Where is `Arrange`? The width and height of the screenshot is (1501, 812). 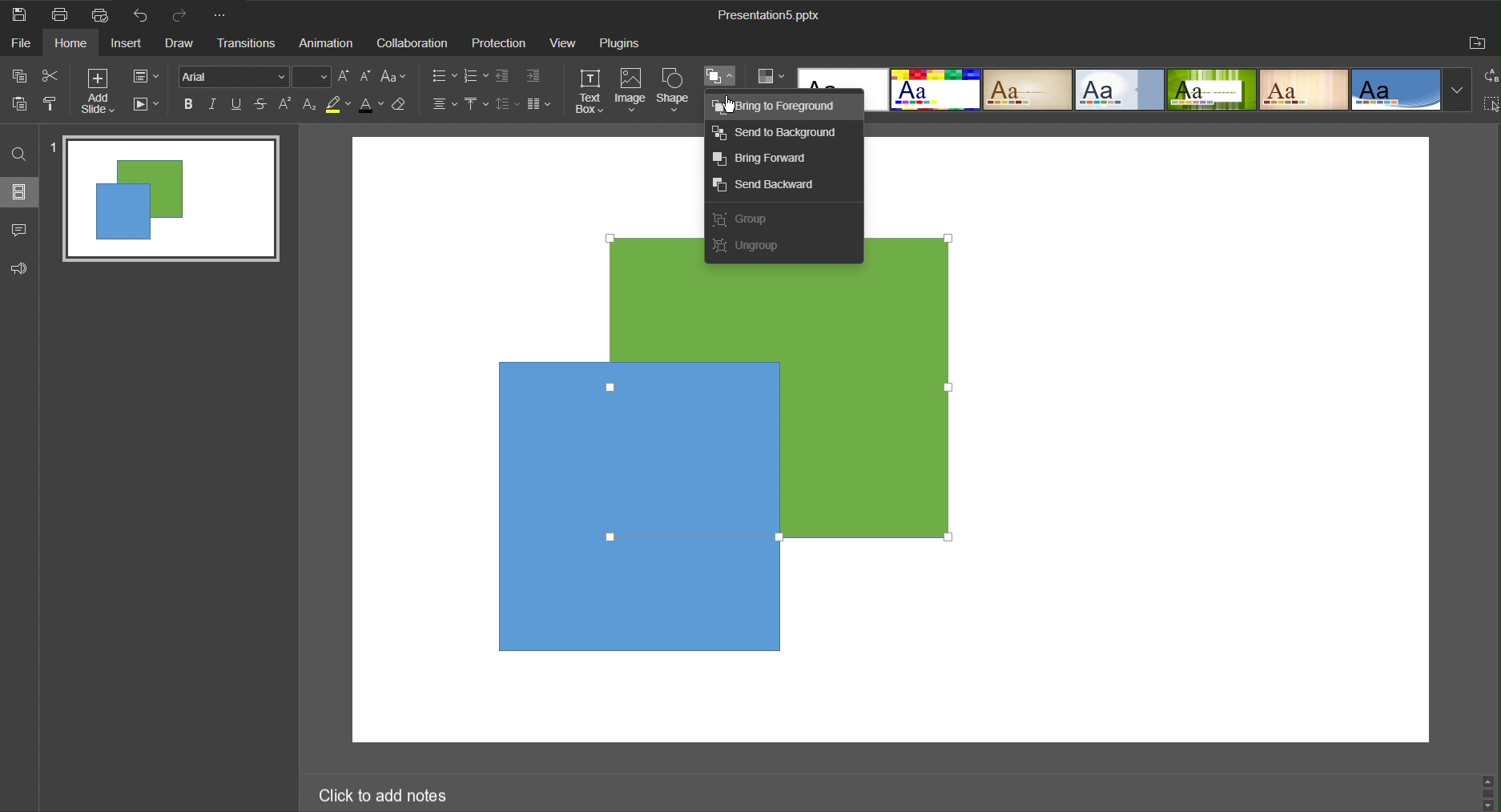 Arrange is located at coordinates (721, 76).